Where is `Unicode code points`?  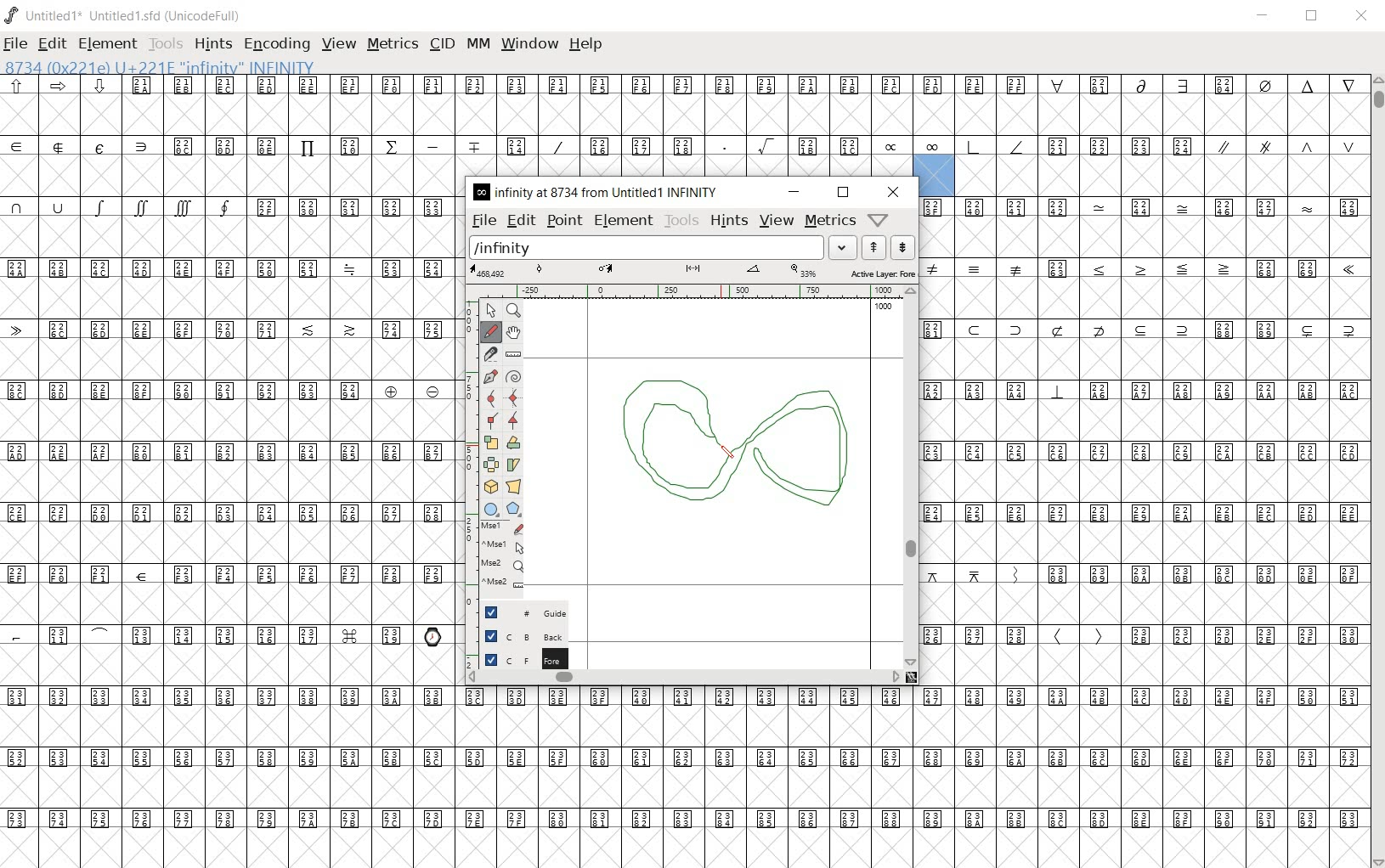 Unicode code points is located at coordinates (940, 329).